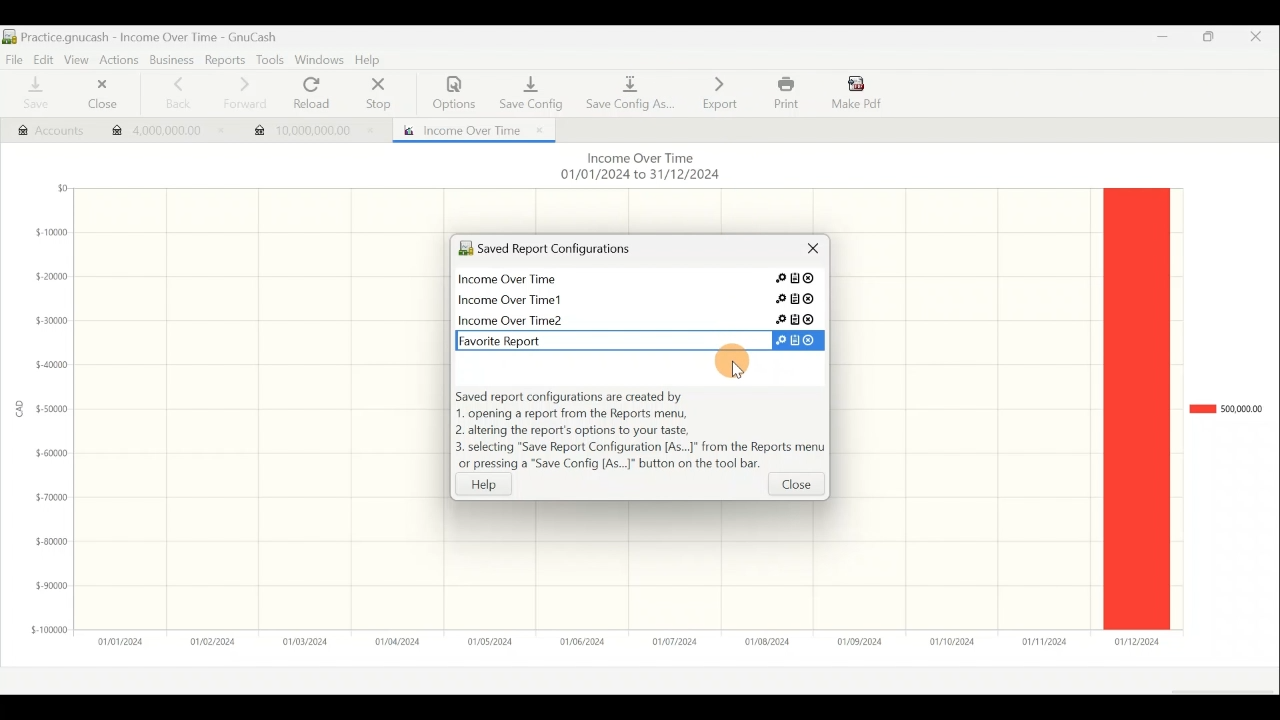 Image resolution: width=1280 pixels, height=720 pixels. I want to click on Document name, so click(150, 37).